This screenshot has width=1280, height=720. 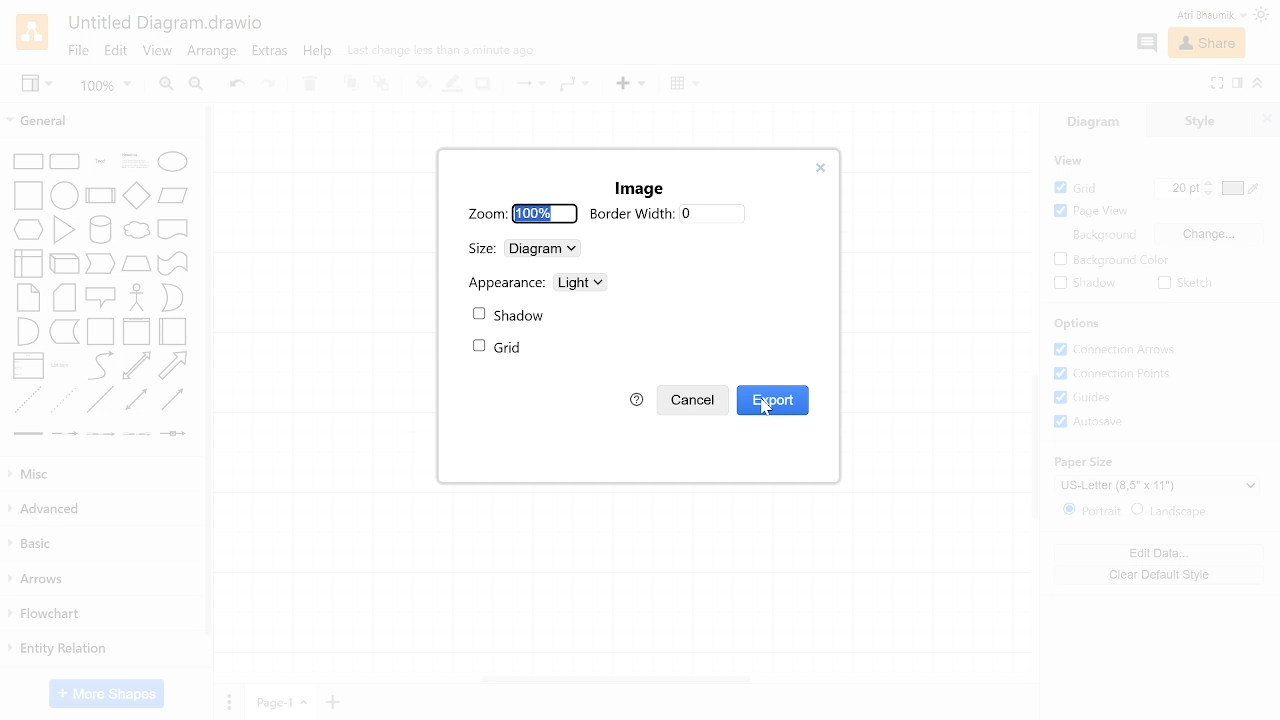 I want to click on Size:, so click(x=483, y=248).